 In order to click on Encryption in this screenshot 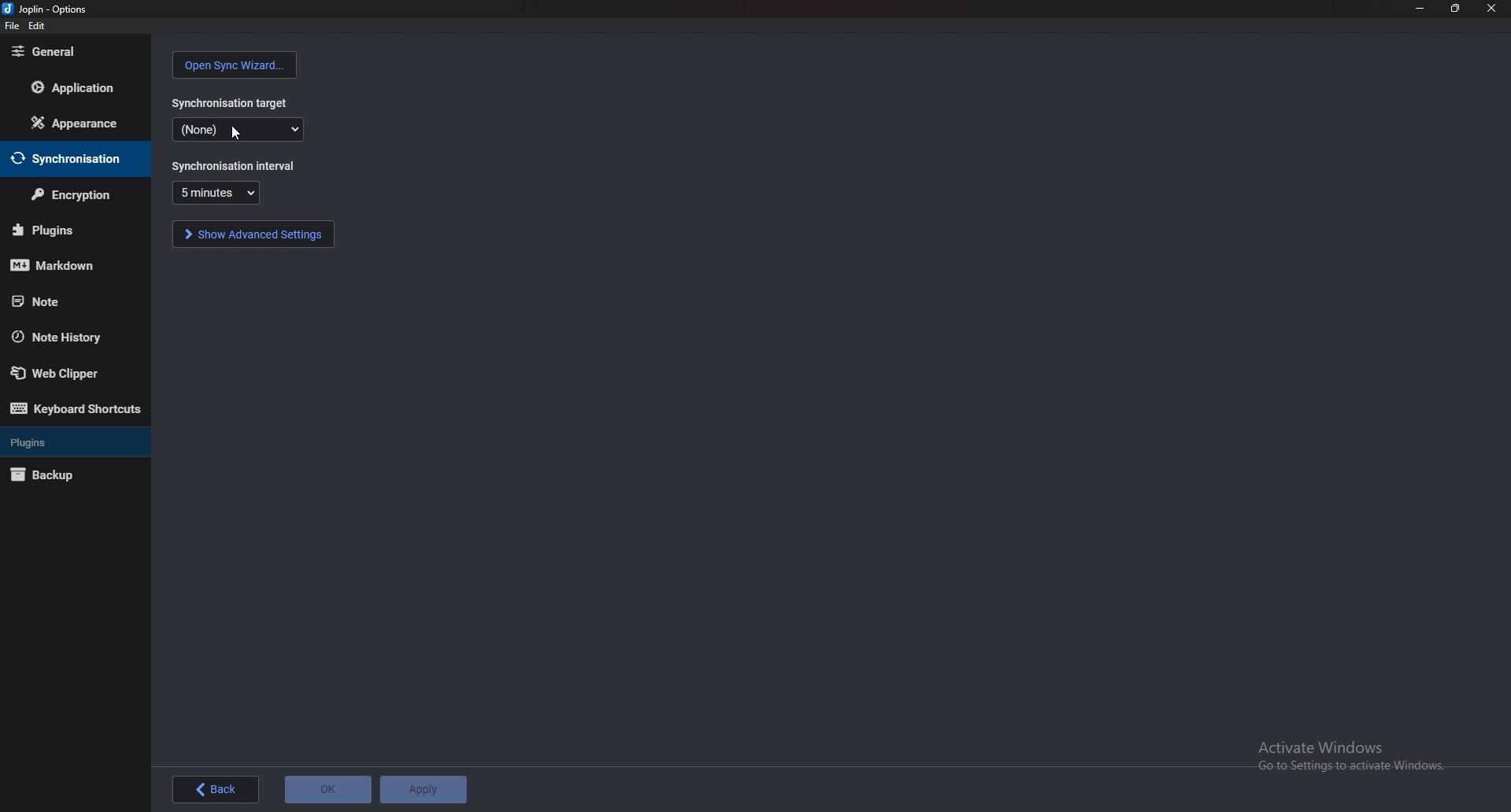, I will do `click(71, 196)`.